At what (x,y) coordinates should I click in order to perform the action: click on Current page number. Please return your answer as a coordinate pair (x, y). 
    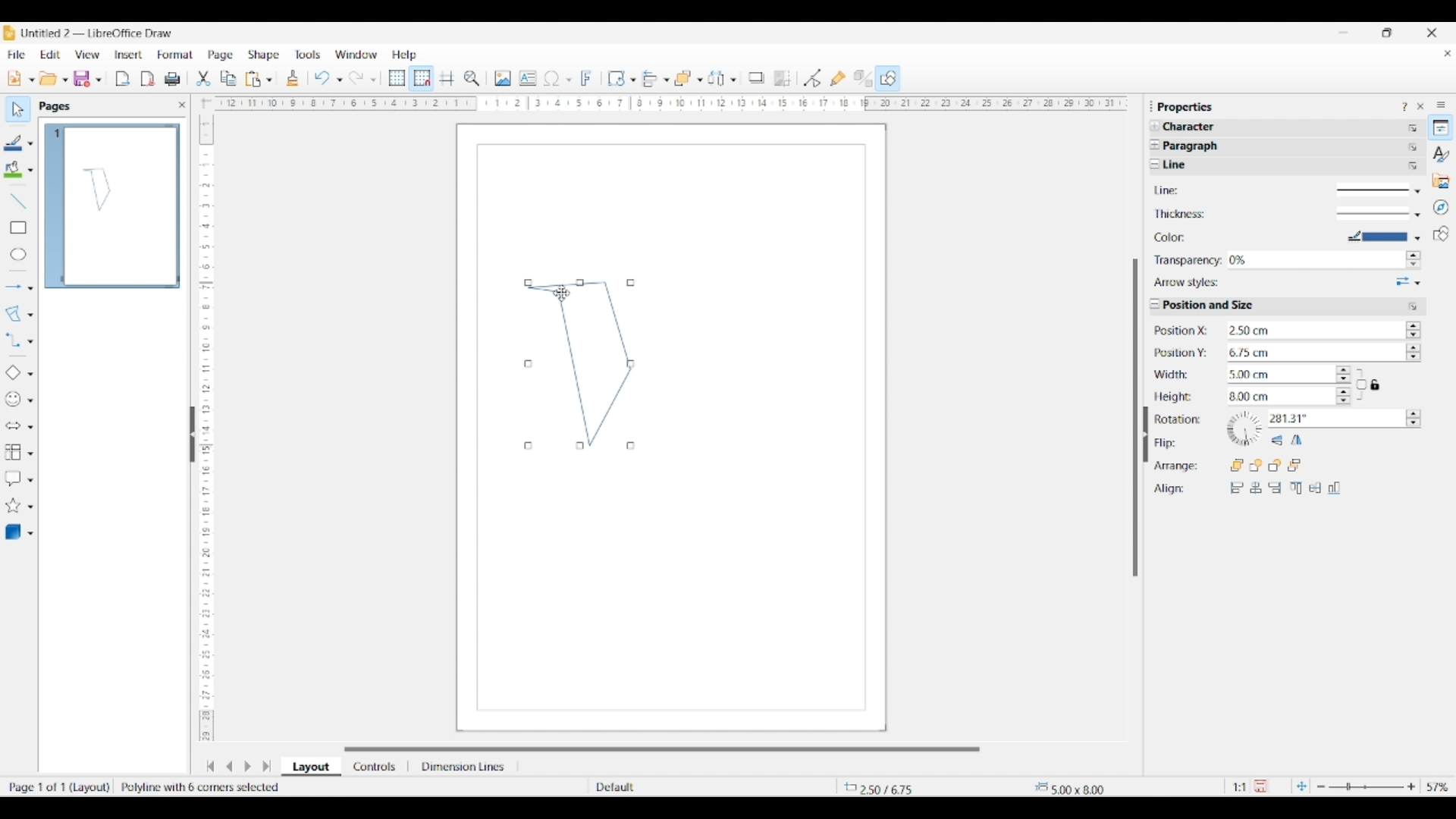
    Looking at the image, I should click on (56, 133).